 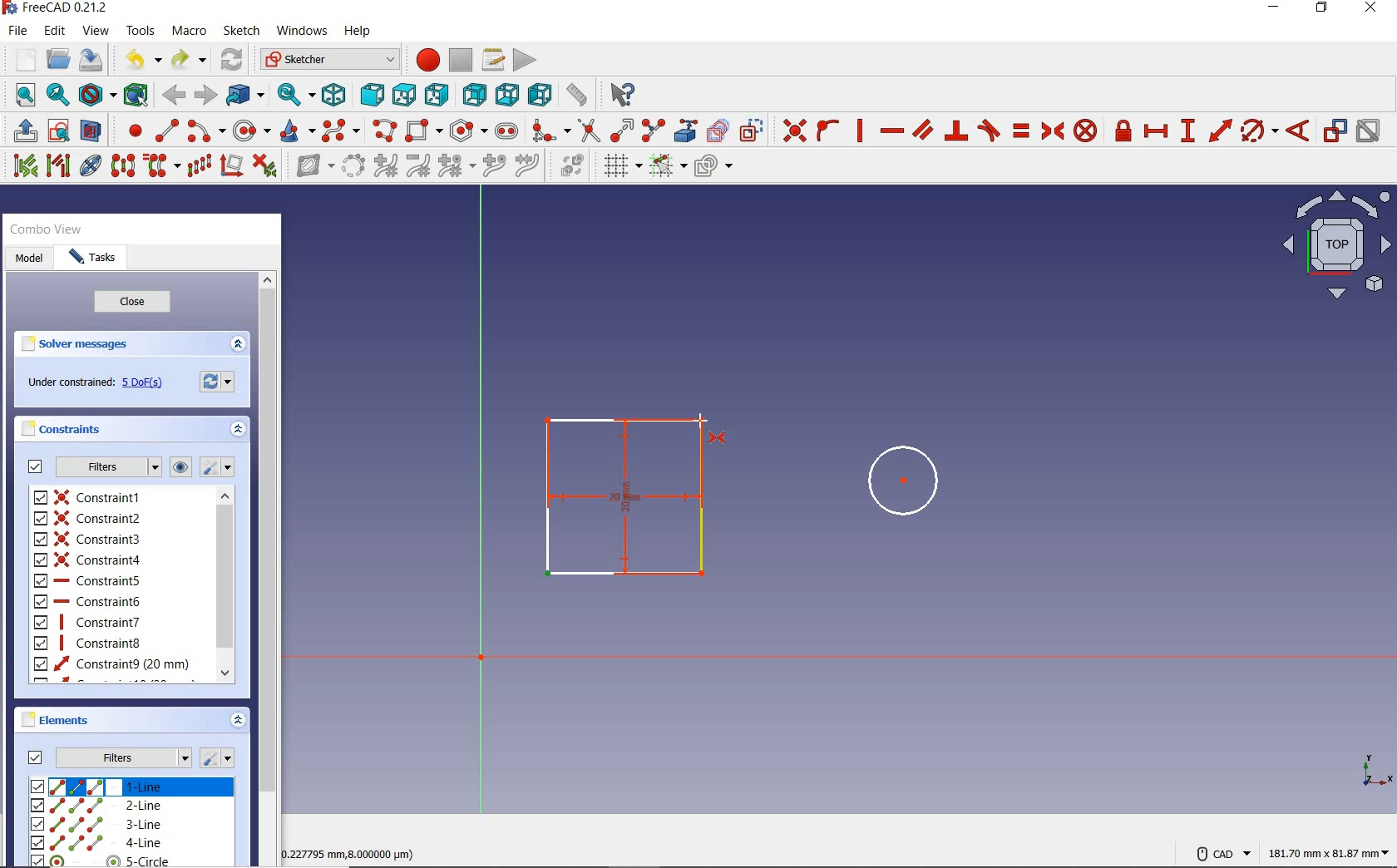 What do you see at coordinates (698, 416) in the screenshot?
I see `Cursor` at bounding box center [698, 416].